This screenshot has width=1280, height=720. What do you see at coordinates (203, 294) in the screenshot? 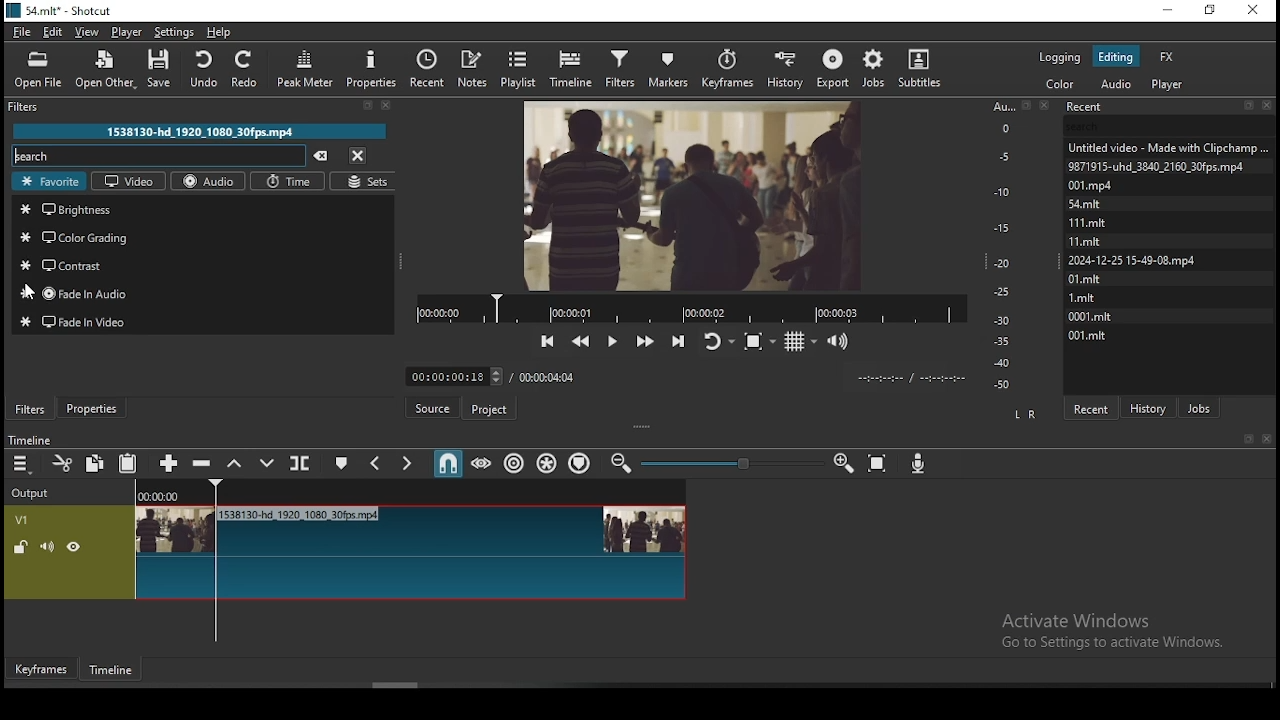
I see `fade in audio` at bounding box center [203, 294].